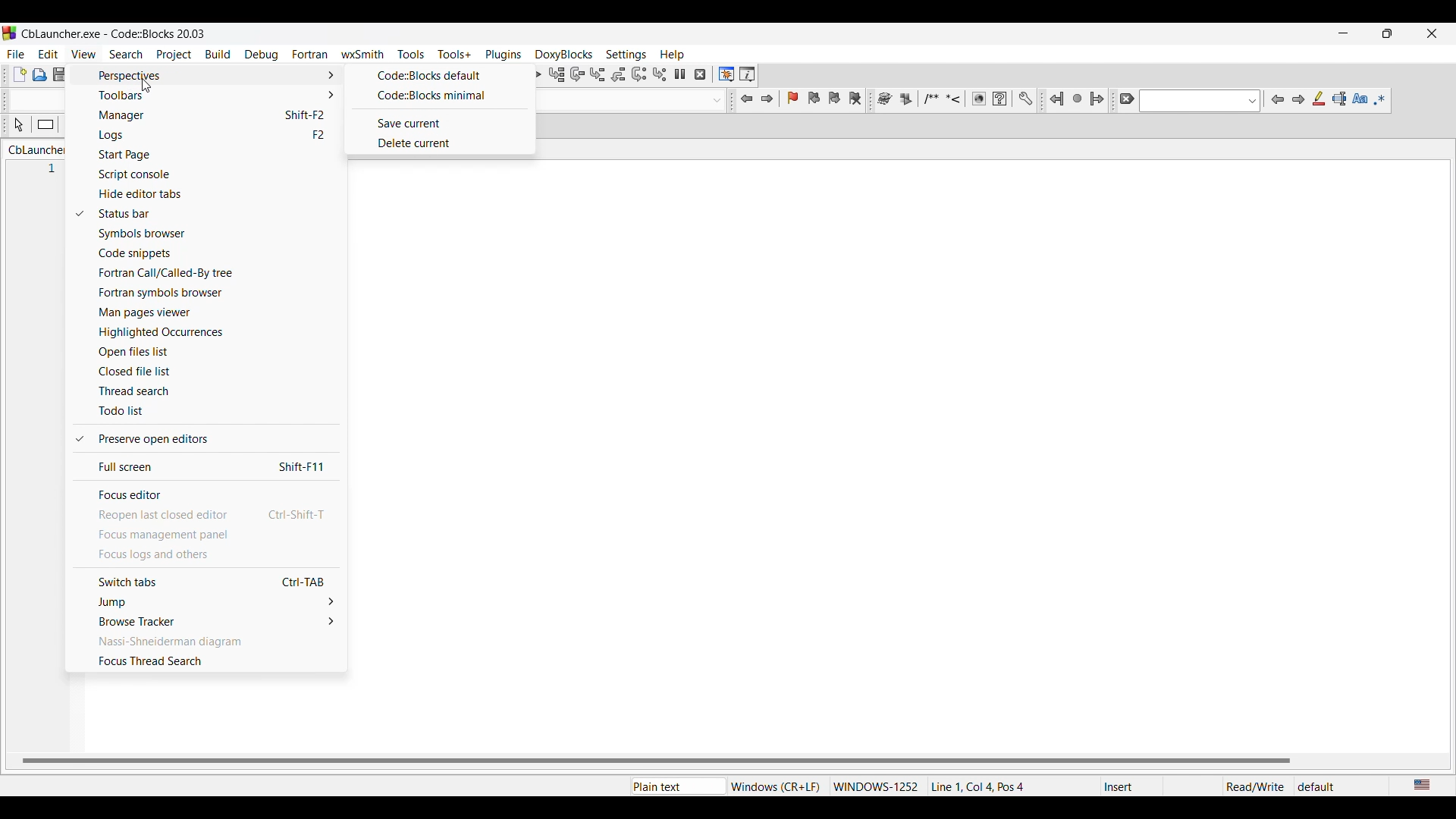  I want to click on Focus editor, so click(211, 495).